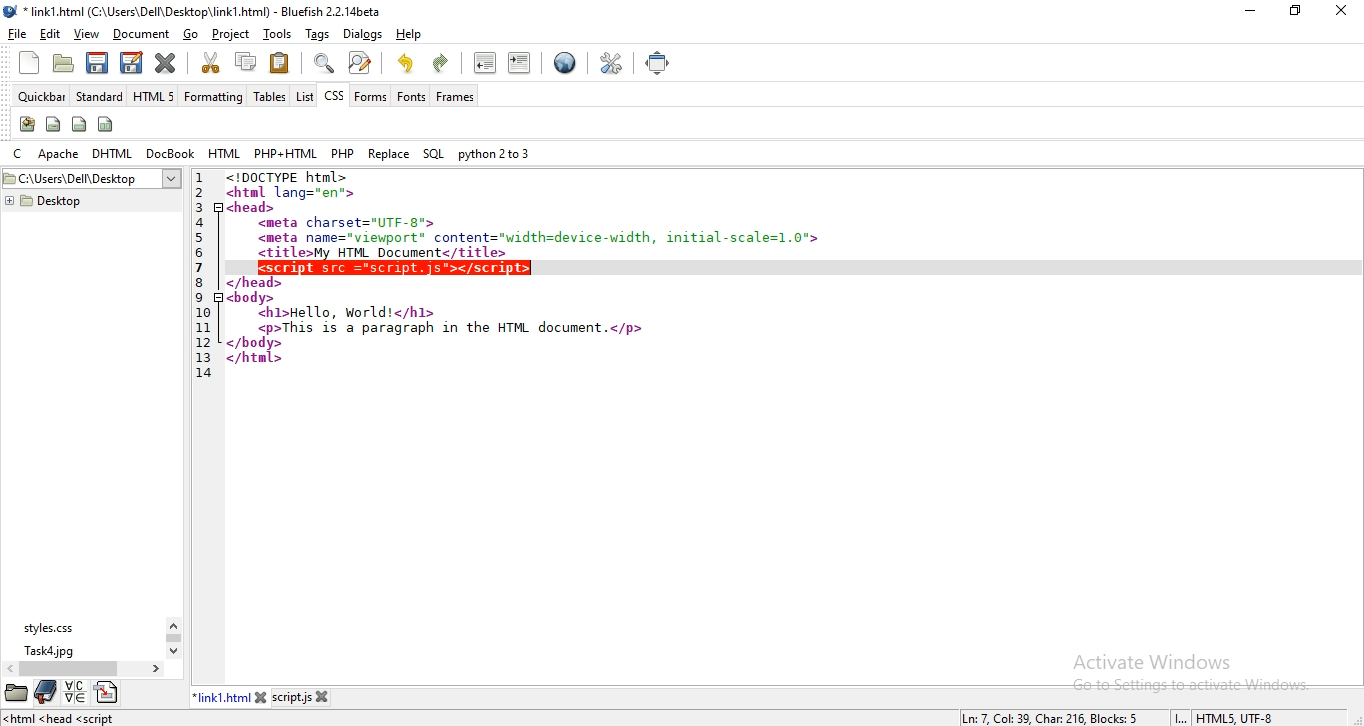  Describe the element at coordinates (564, 64) in the screenshot. I see `preview in browser` at that location.